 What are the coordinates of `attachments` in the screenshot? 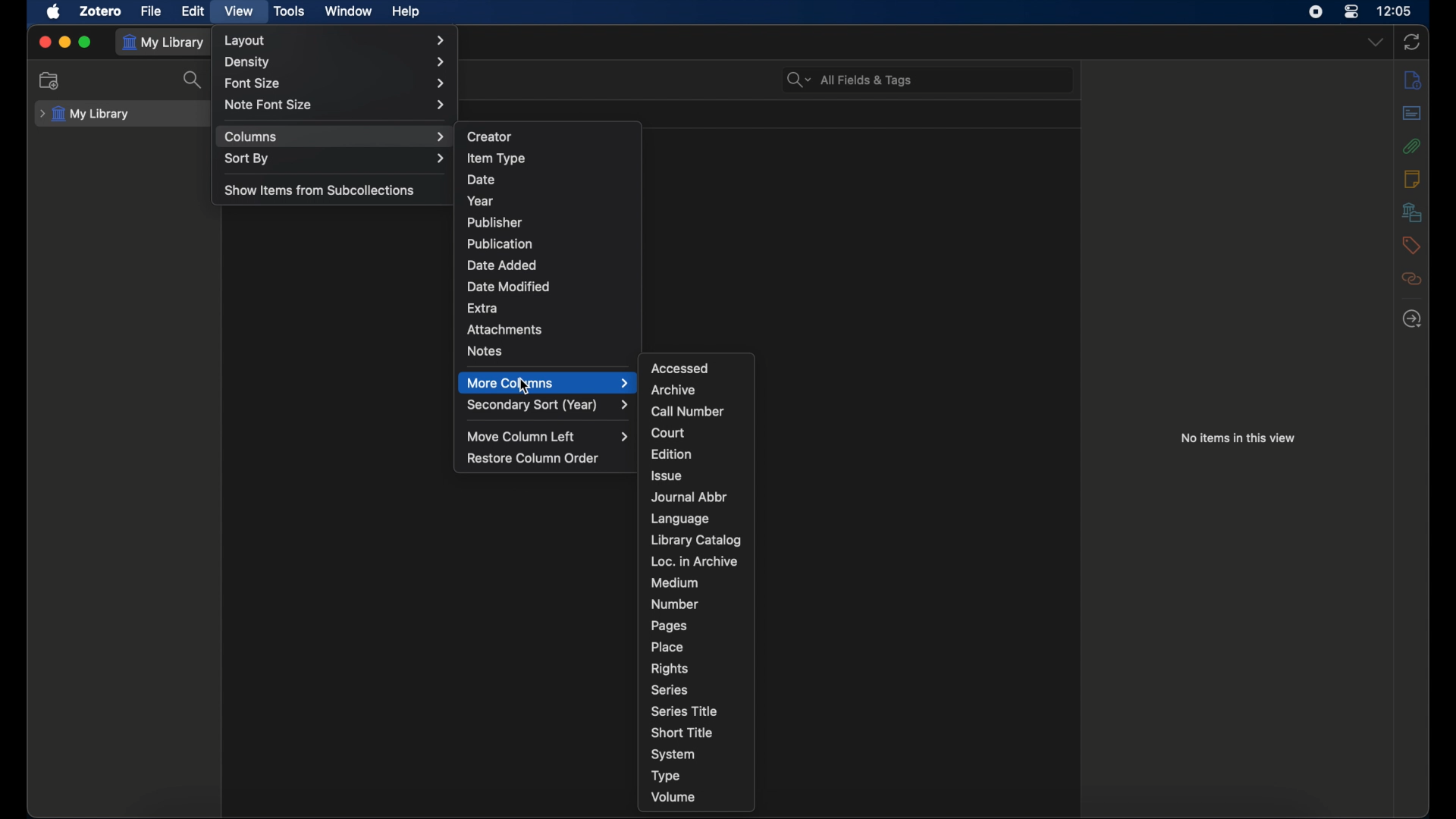 It's located at (504, 329).